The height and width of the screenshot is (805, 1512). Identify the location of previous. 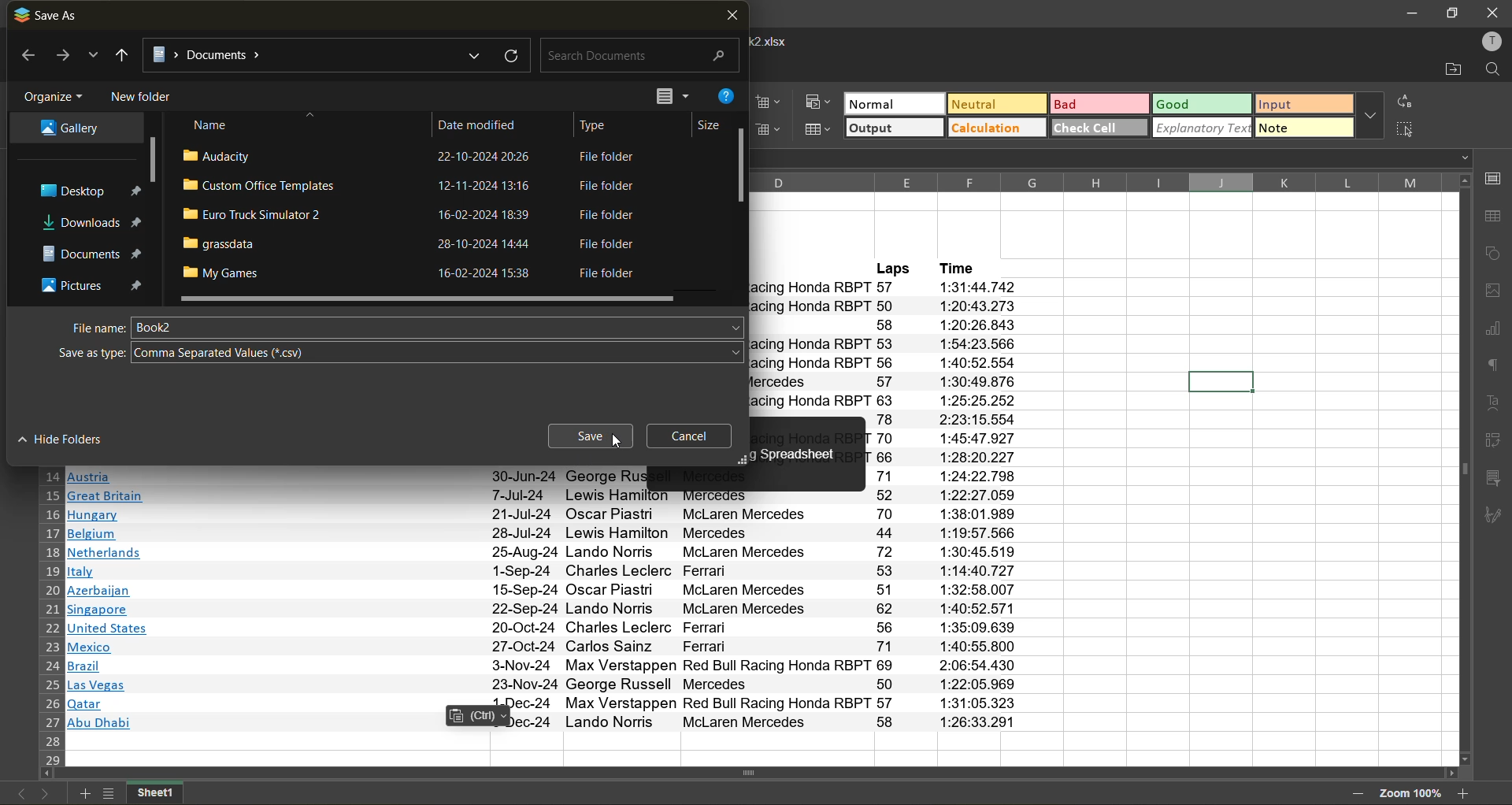
(18, 795).